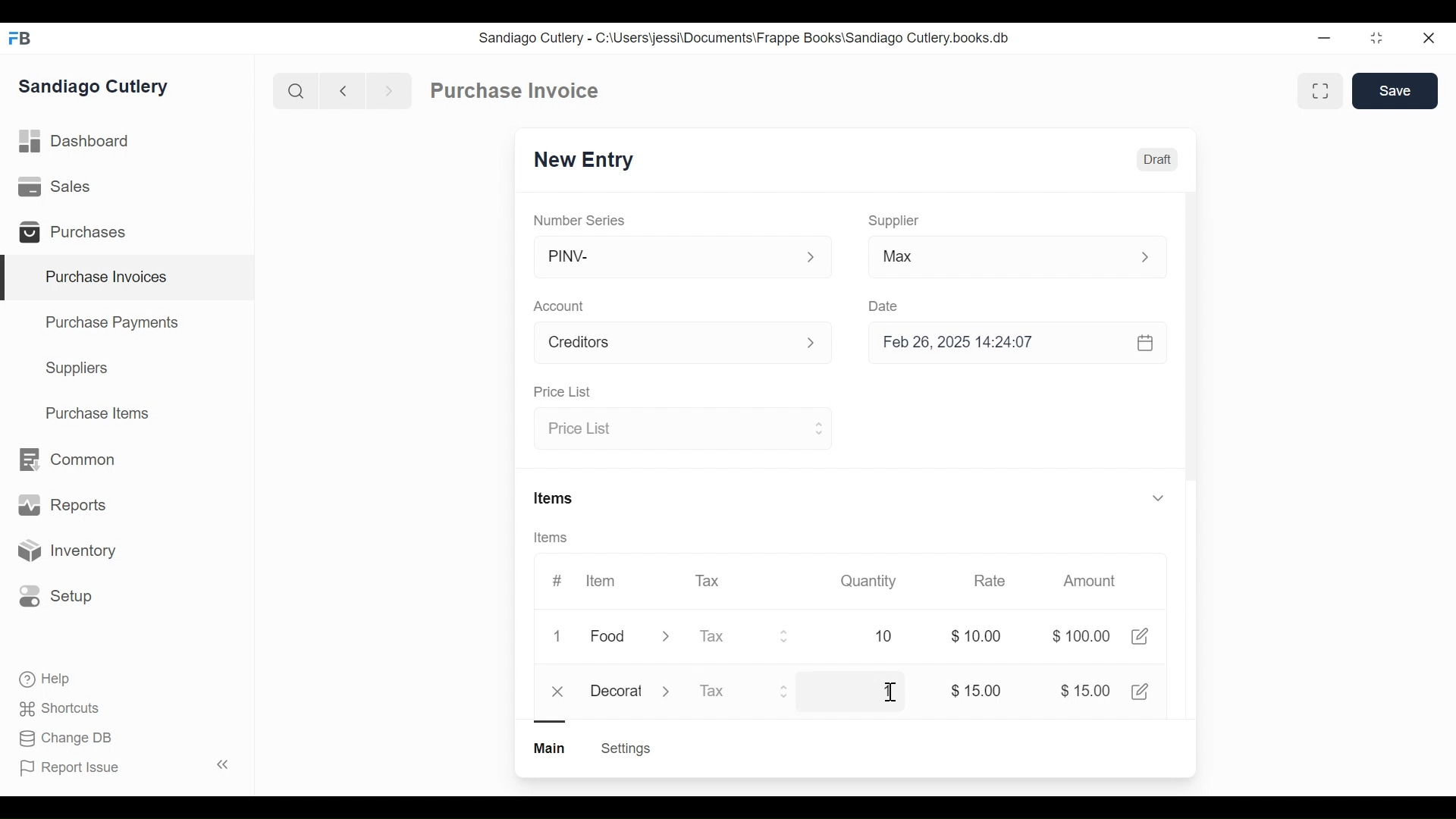 Image resolution: width=1456 pixels, height=819 pixels. Describe the element at coordinates (785, 636) in the screenshot. I see `Expand` at that location.